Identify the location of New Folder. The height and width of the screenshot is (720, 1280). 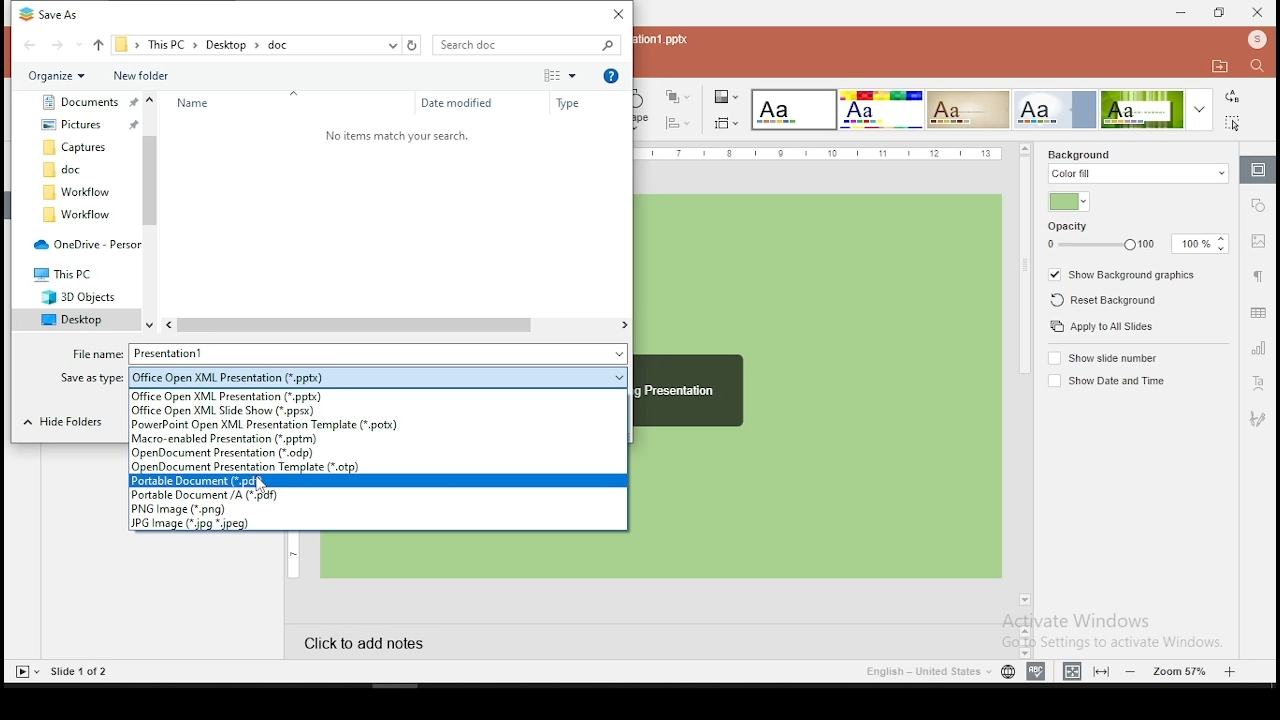
(170, 75).